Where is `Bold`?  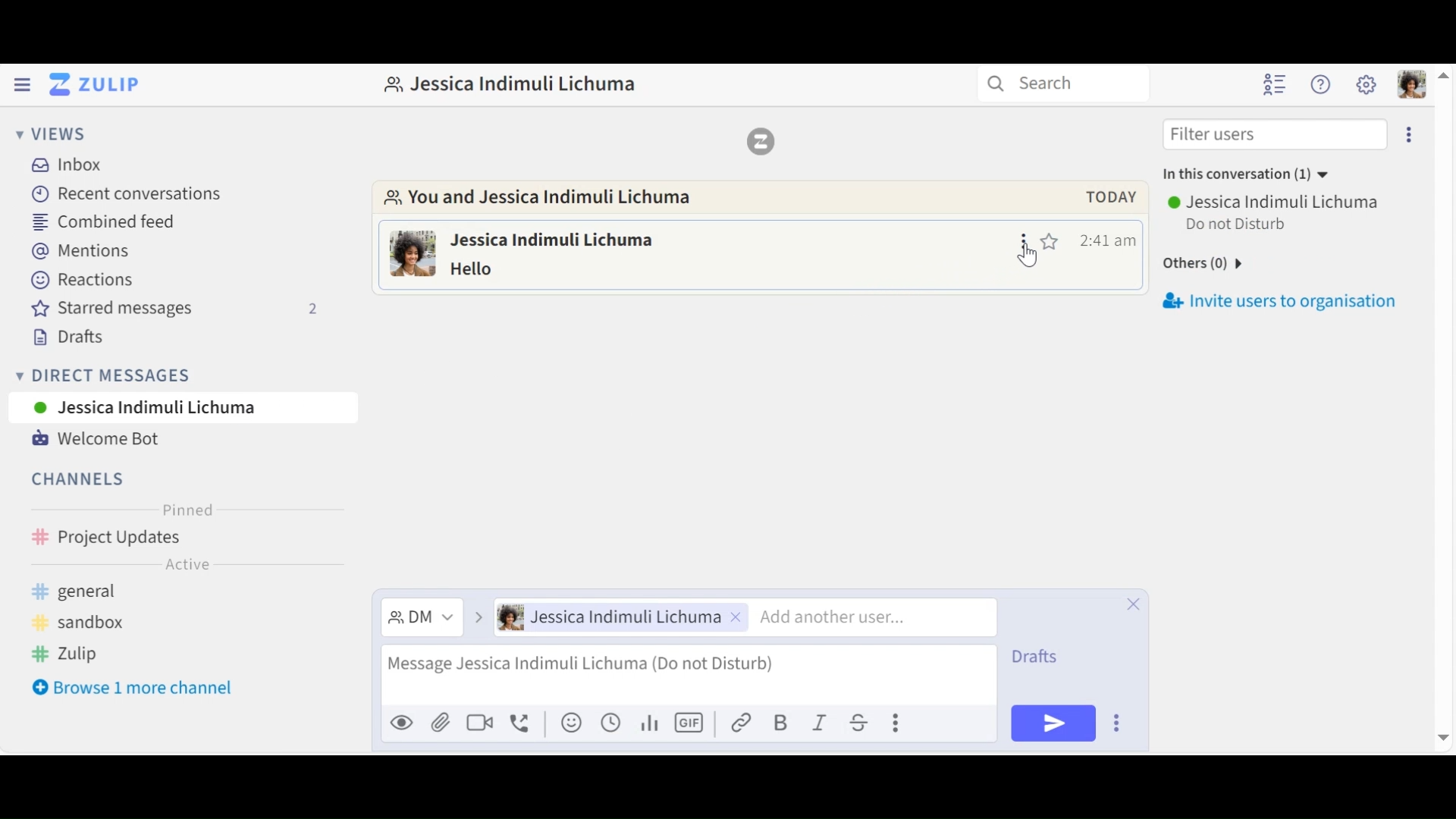
Bold is located at coordinates (781, 722).